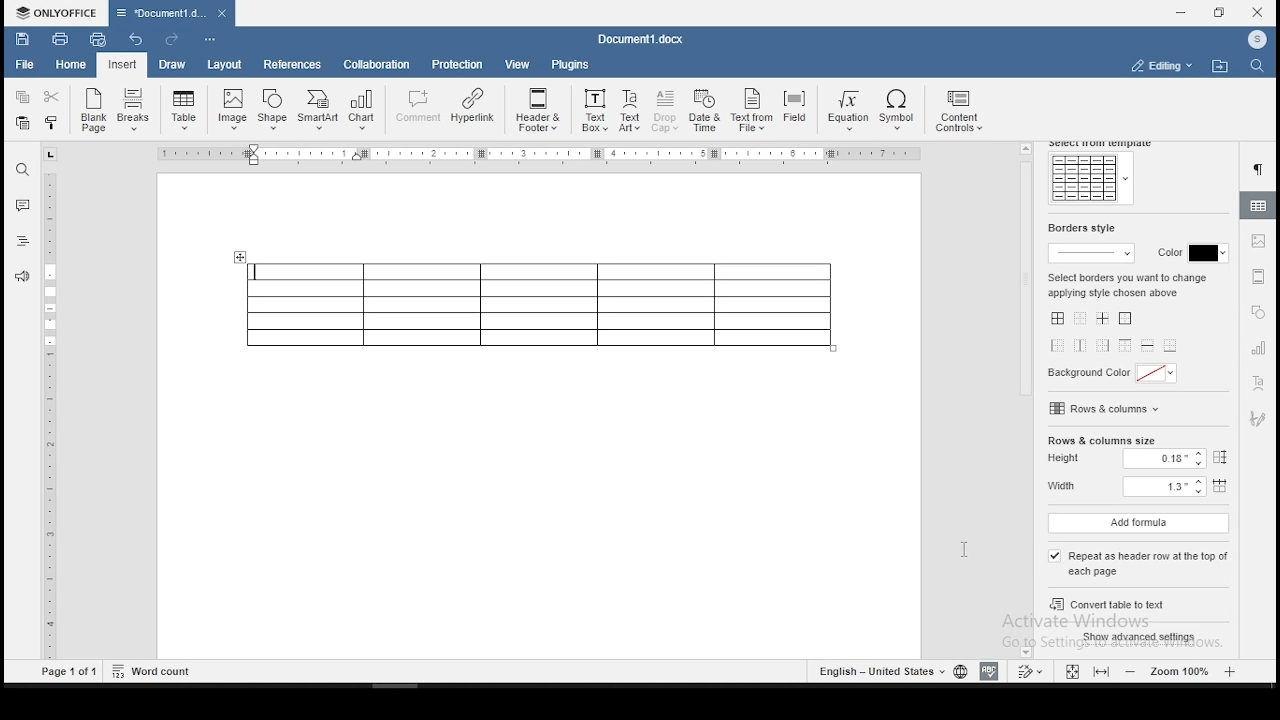 This screenshot has height=720, width=1280. Describe the element at coordinates (53, 416) in the screenshot. I see `ruler` at that location.